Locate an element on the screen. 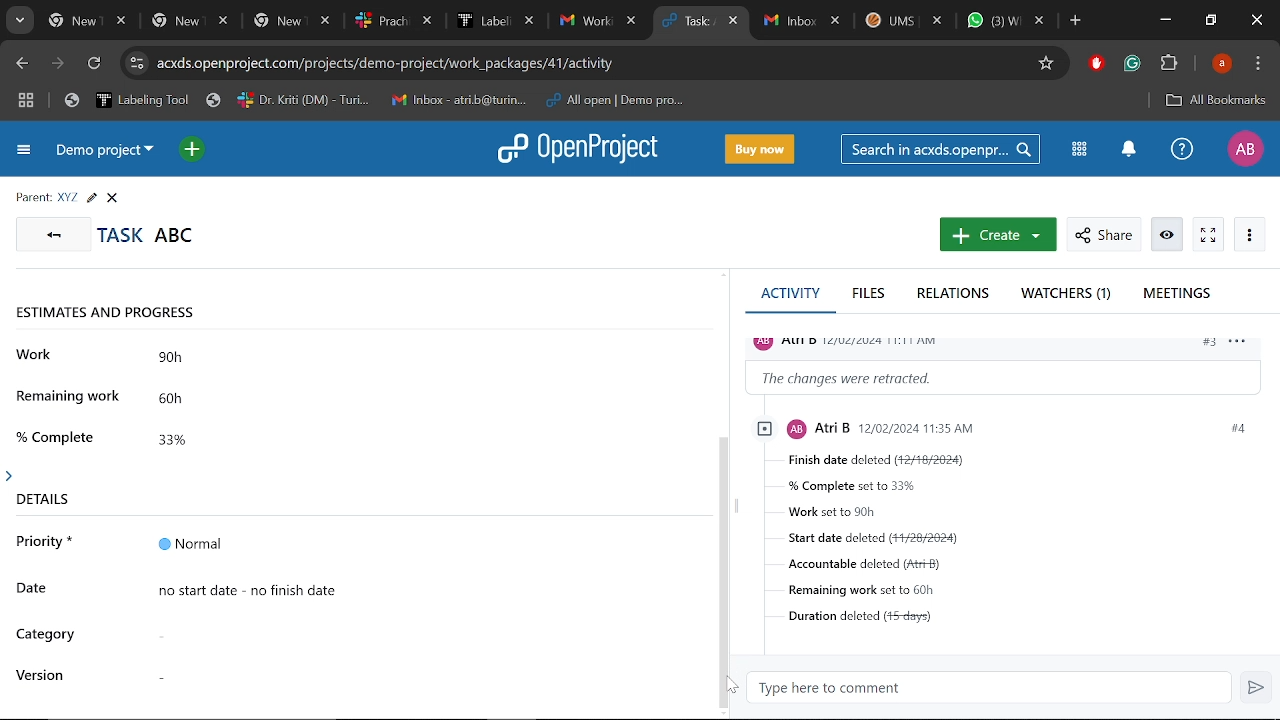 This screenshot has width=1280, height=720. Ctegory is located at coordinates (416, 634).